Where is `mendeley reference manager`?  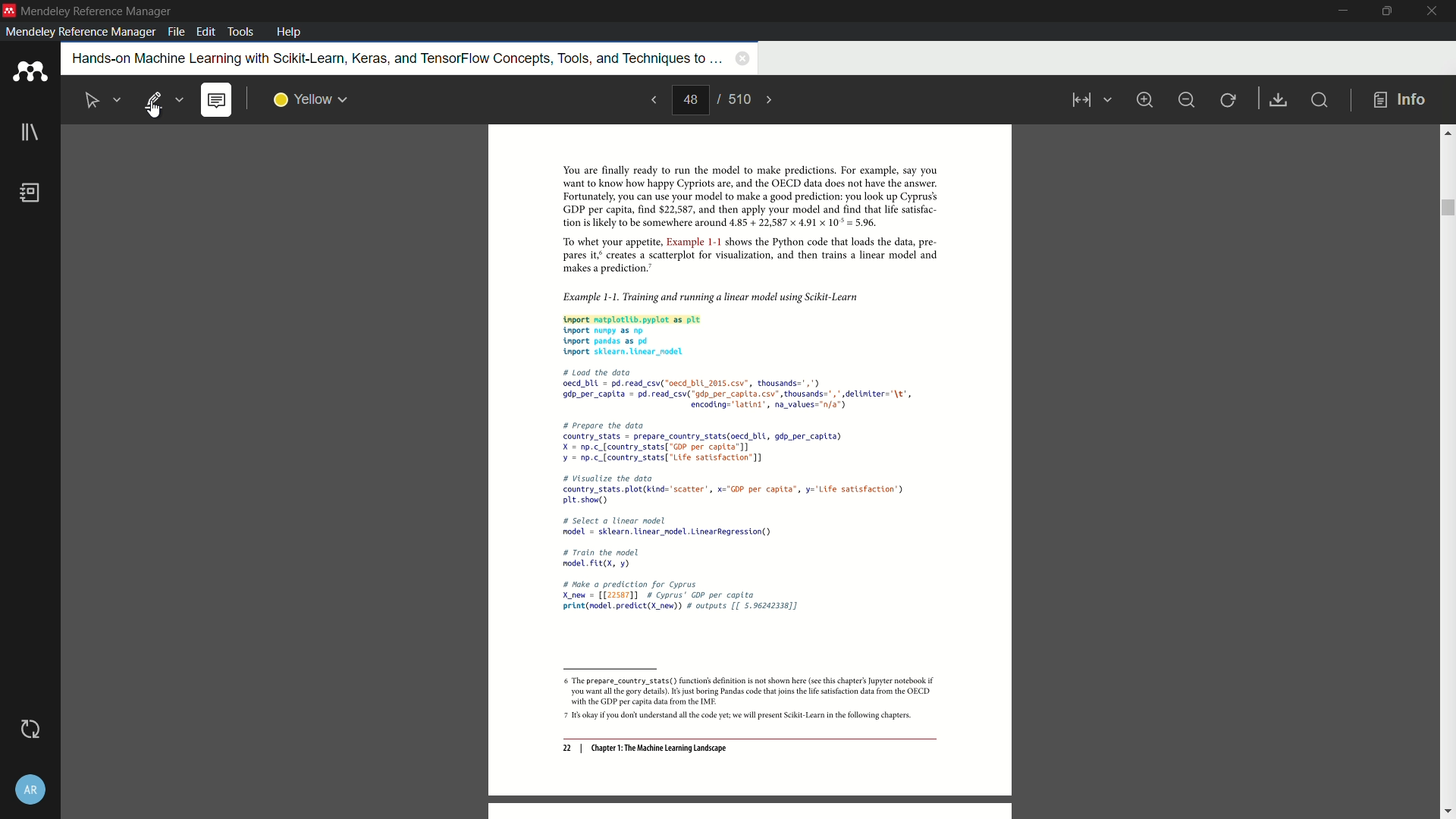 mendeley reference manager is located at coordinates (80, 32).